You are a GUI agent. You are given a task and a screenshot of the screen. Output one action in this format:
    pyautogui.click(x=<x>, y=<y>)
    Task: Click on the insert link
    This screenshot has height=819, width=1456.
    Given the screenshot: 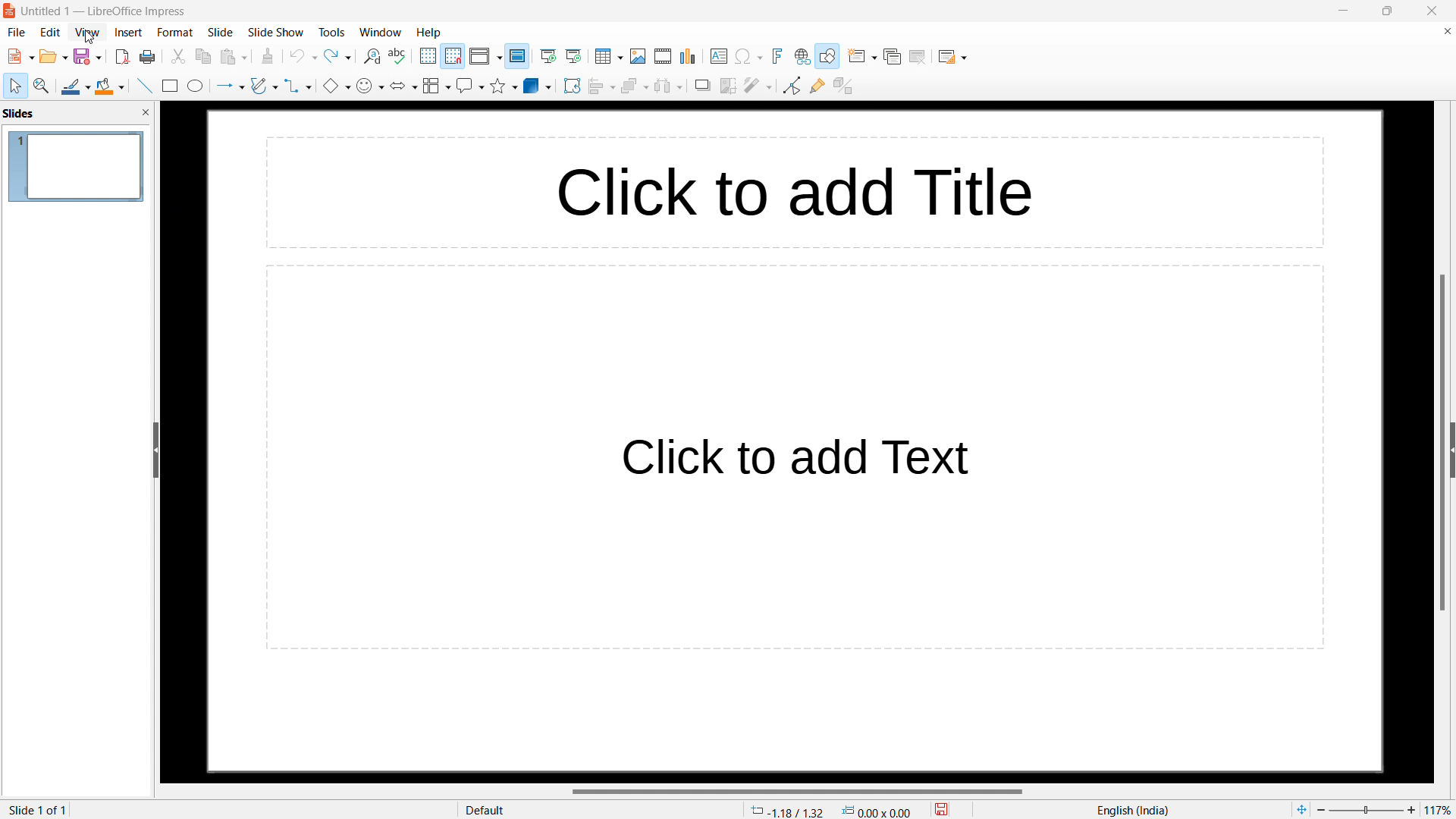 What is the action you would take?
    pyautogui.click(x=802, y=57)
    